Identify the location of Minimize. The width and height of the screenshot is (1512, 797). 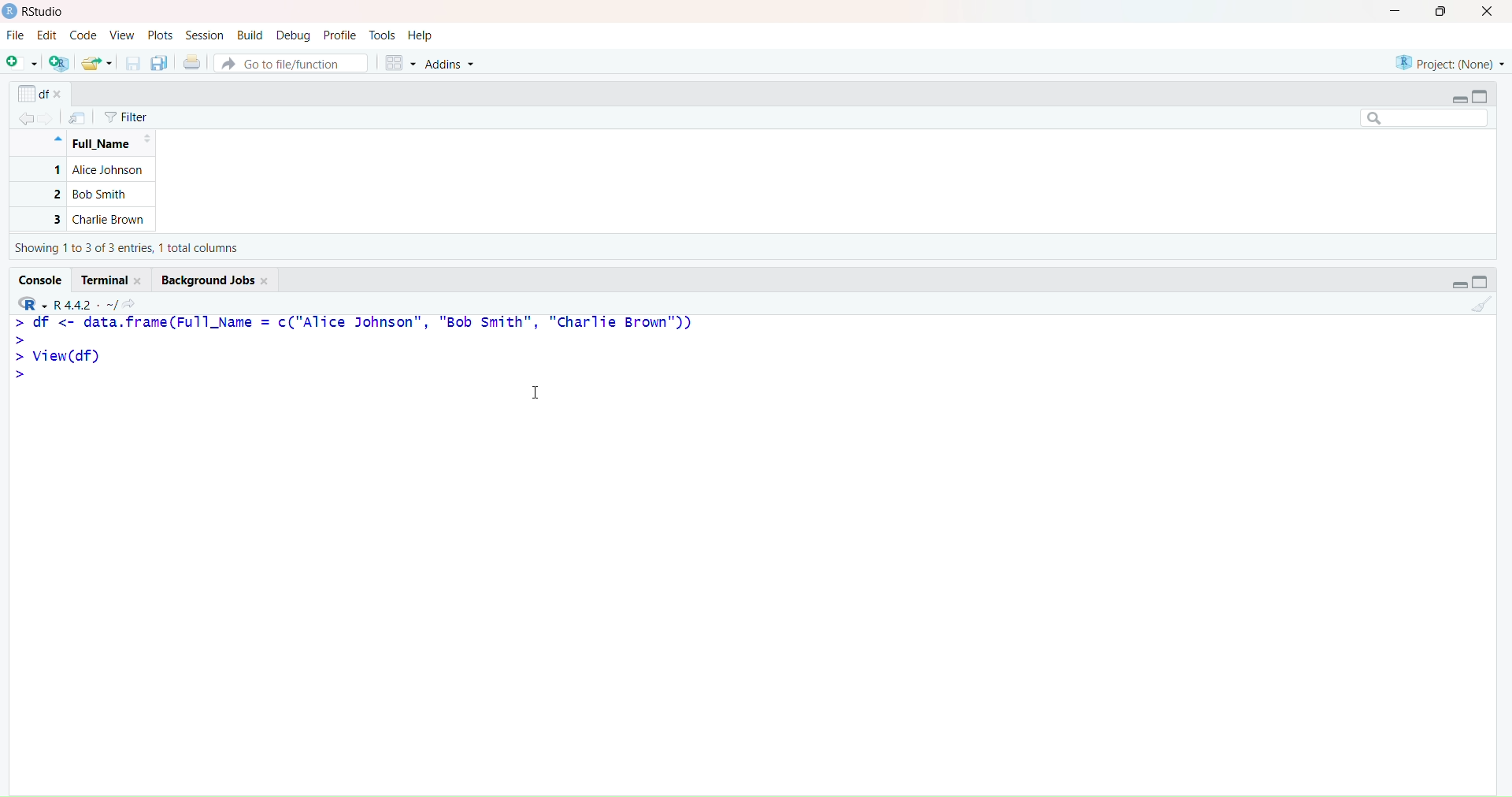
(1457, 283).